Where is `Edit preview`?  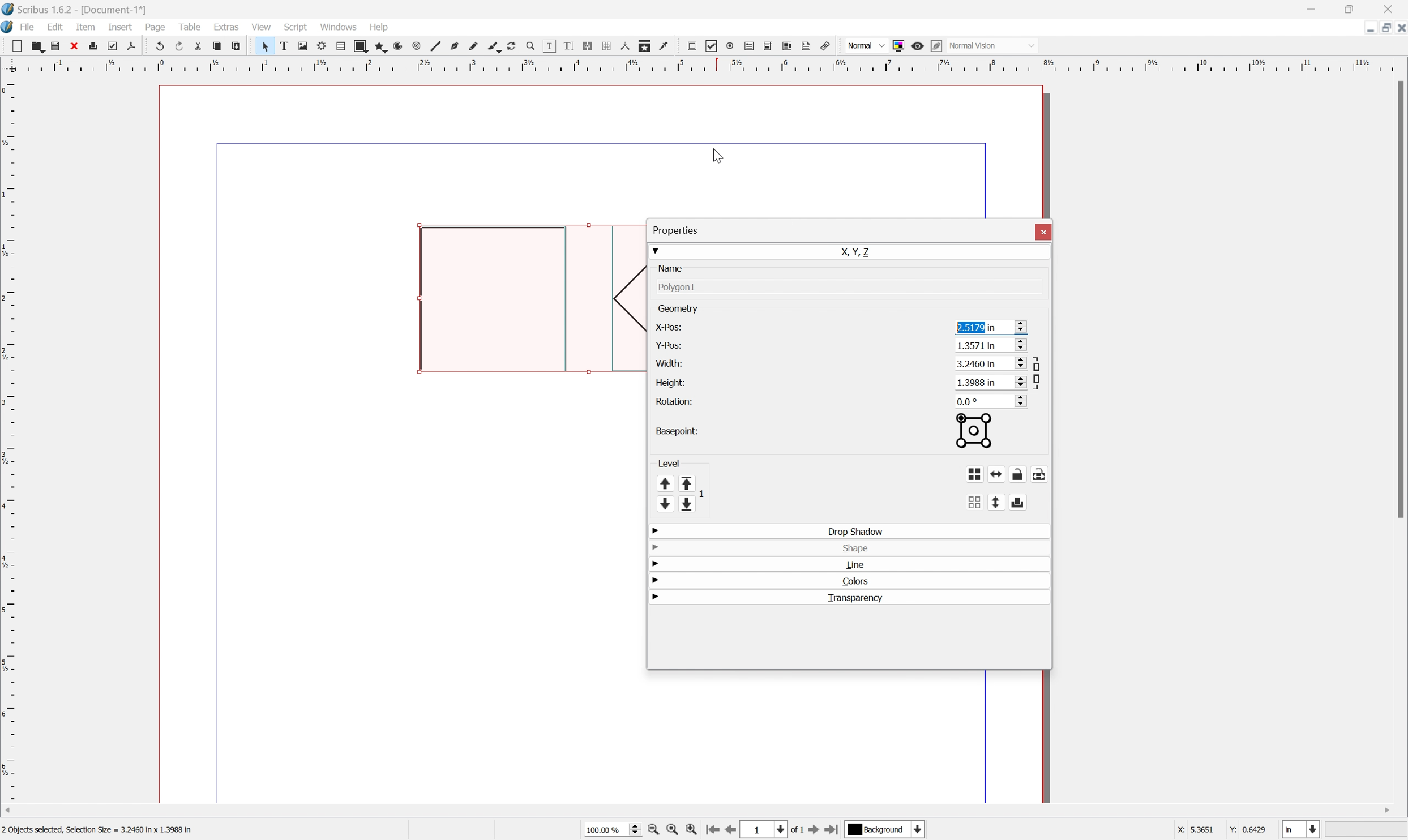 Edit preview is located at coordinates (936, 45).